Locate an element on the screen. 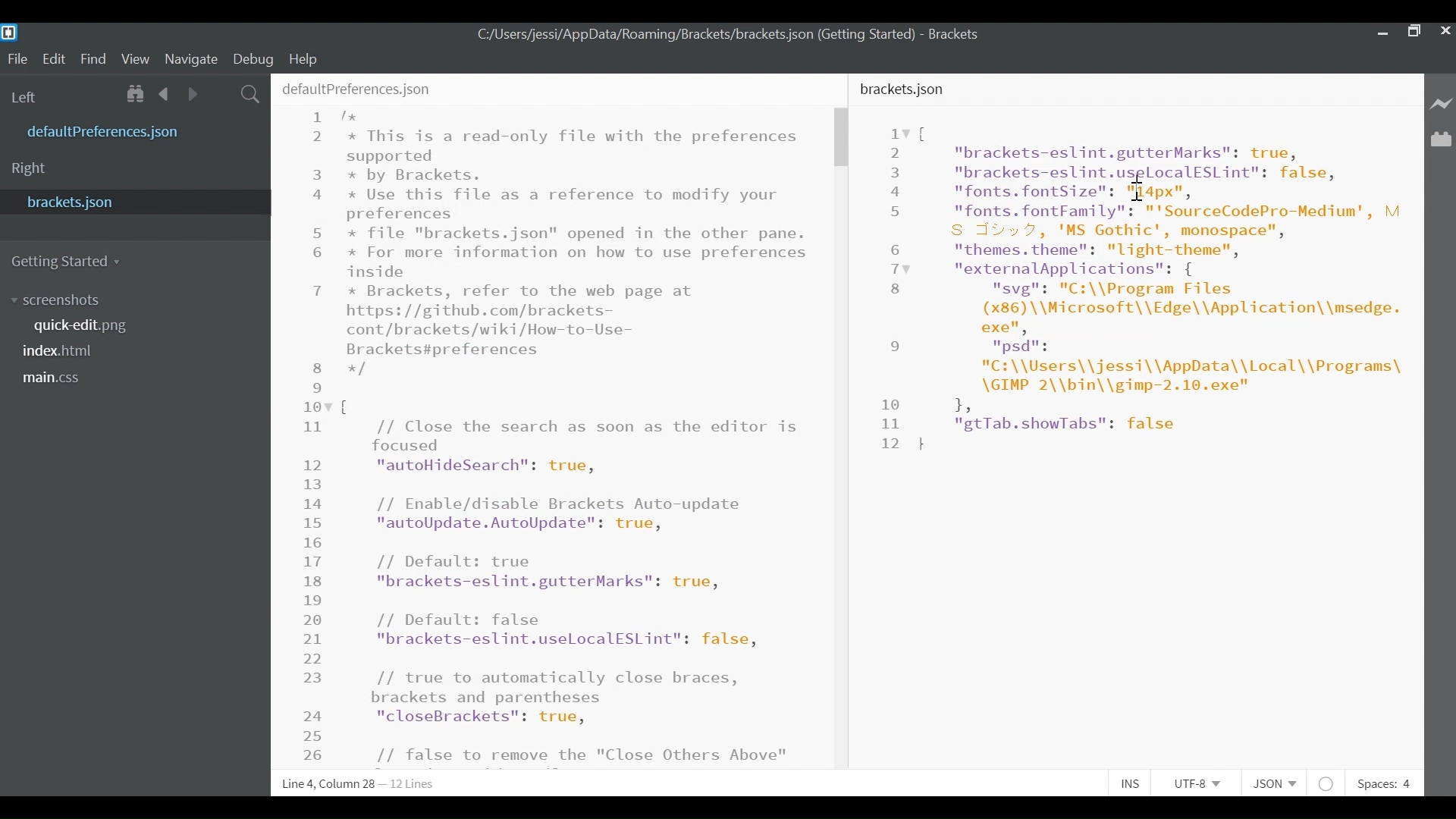 The width and height of the screenshot is (1456, 819). Restore is located at coordinates (1414, 32).